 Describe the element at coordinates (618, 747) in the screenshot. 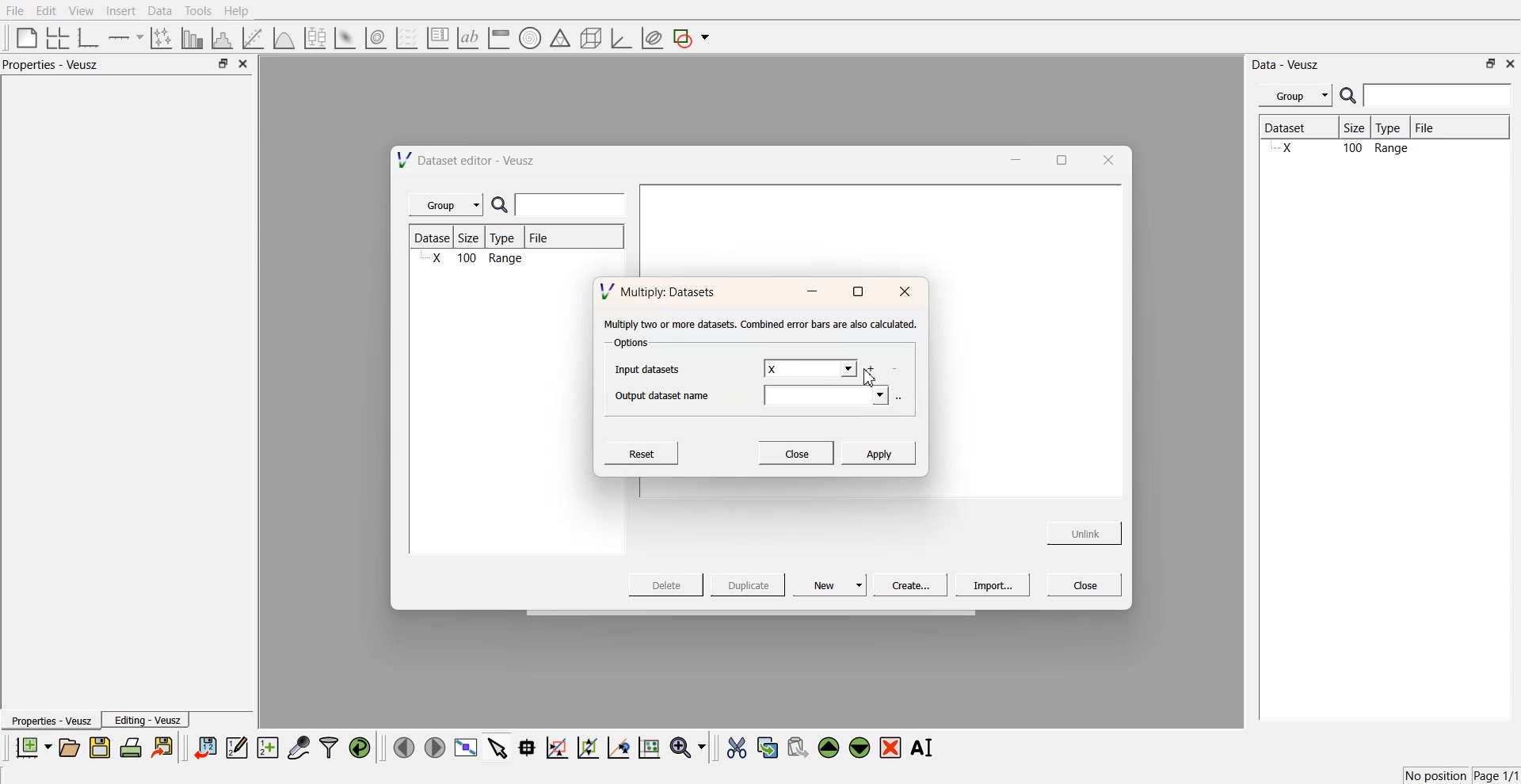

I see `recenter the graph axes` at that location.